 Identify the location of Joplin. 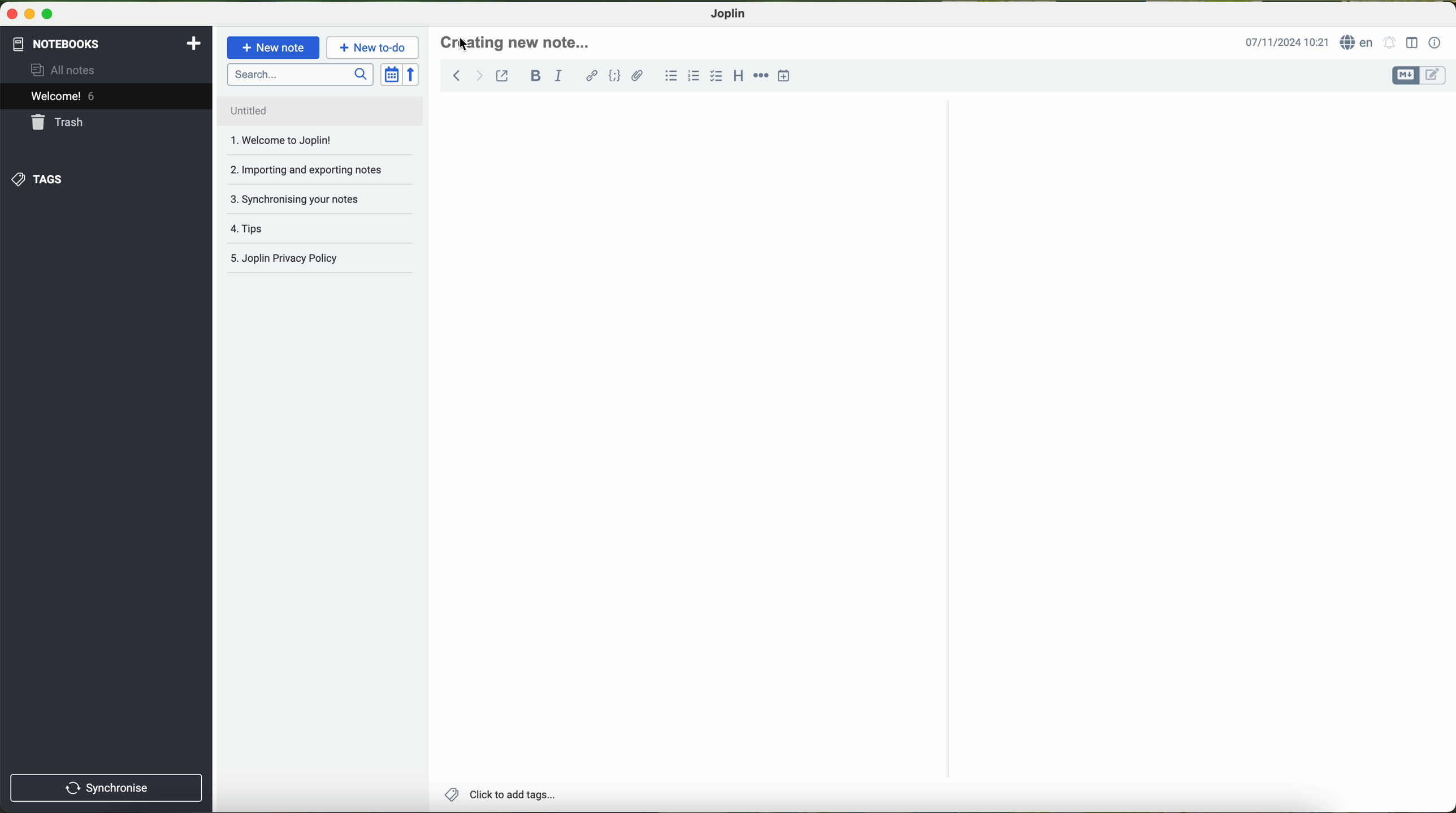
(727, 14).